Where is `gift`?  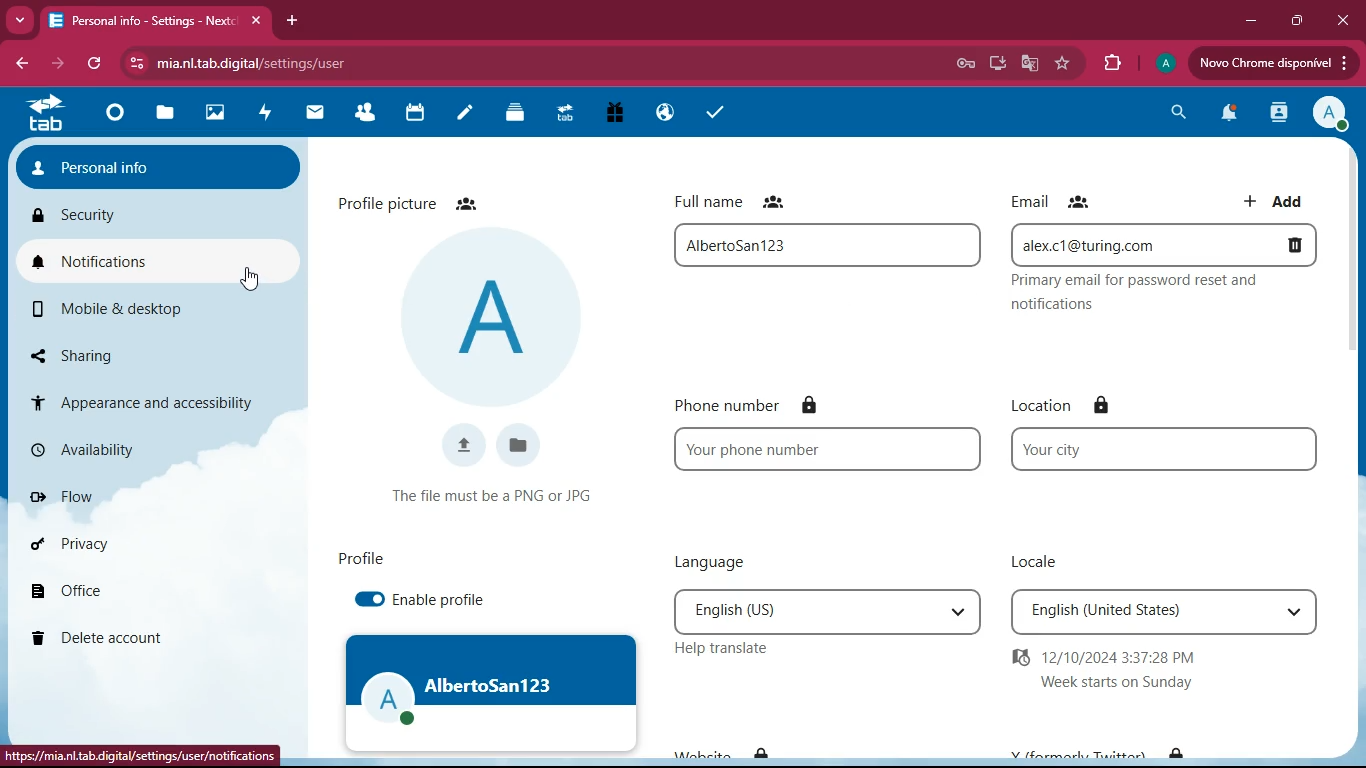
gift is located at coordinates (612, 115).